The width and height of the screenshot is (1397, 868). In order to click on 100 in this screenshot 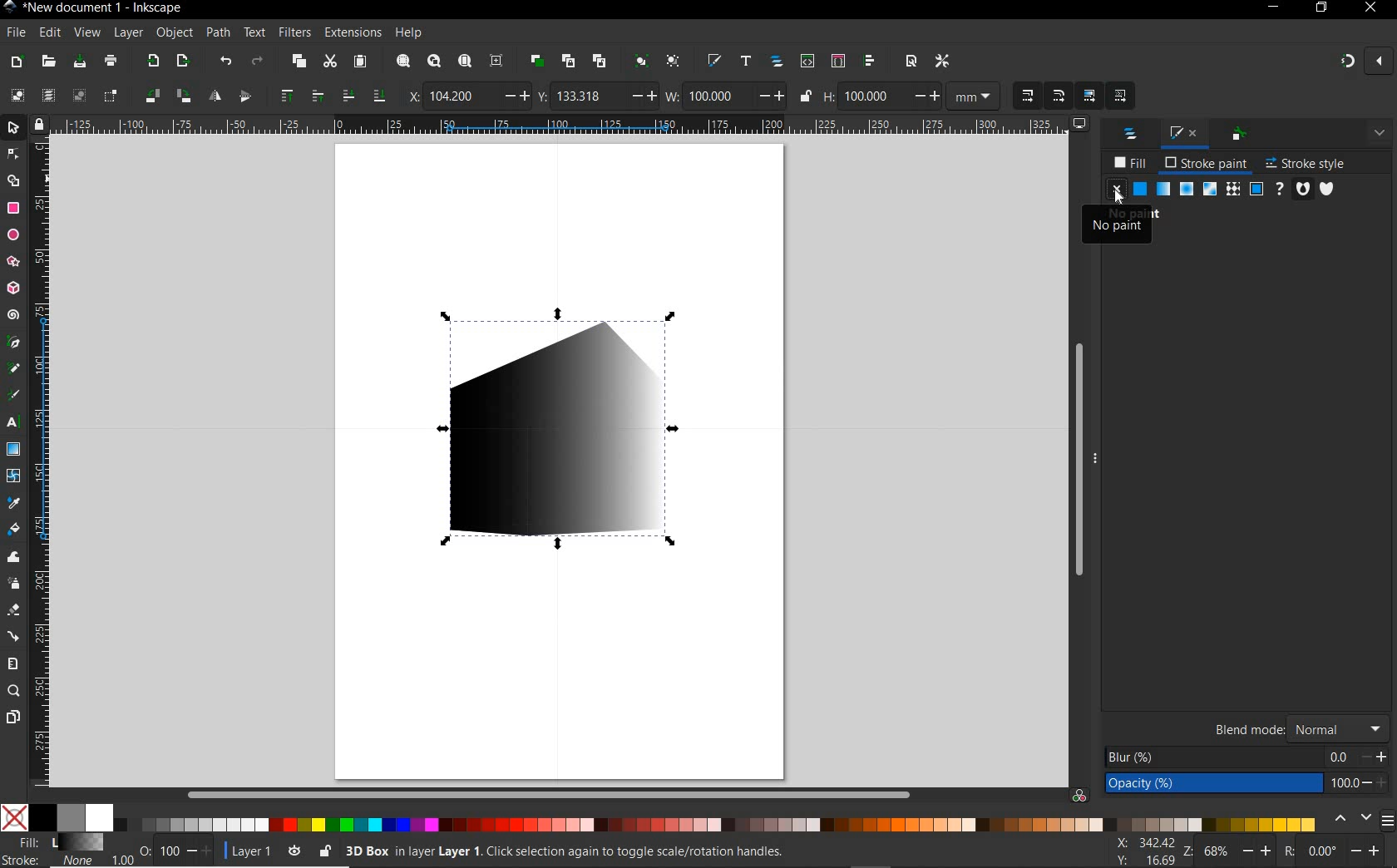, I will do `click(1345, 783)`.